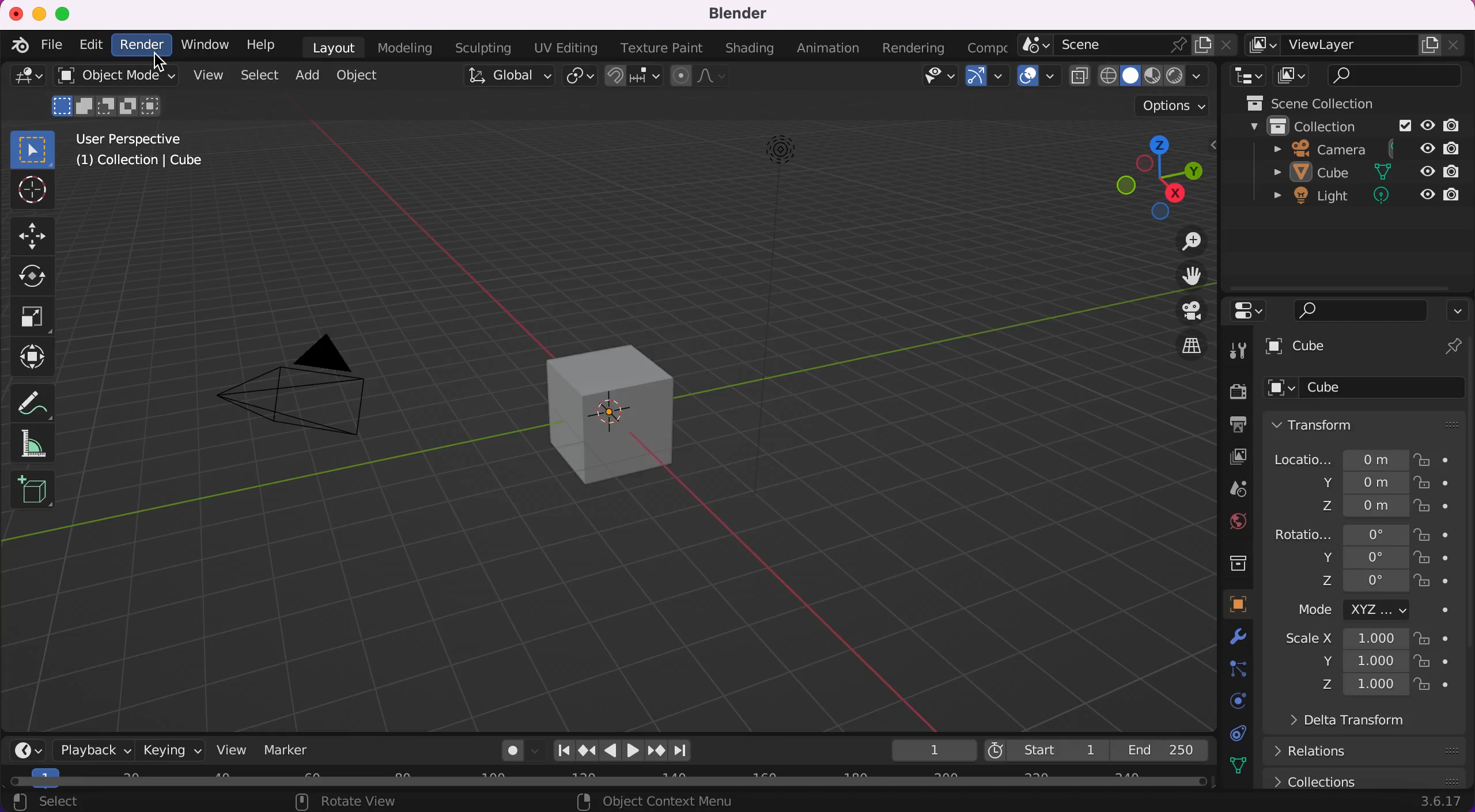 This screenshot has height=812, width=1475. What do you see at coordinates (1226, 604) in the screenshot?
I see `object` at bounding box center [1226, 604].